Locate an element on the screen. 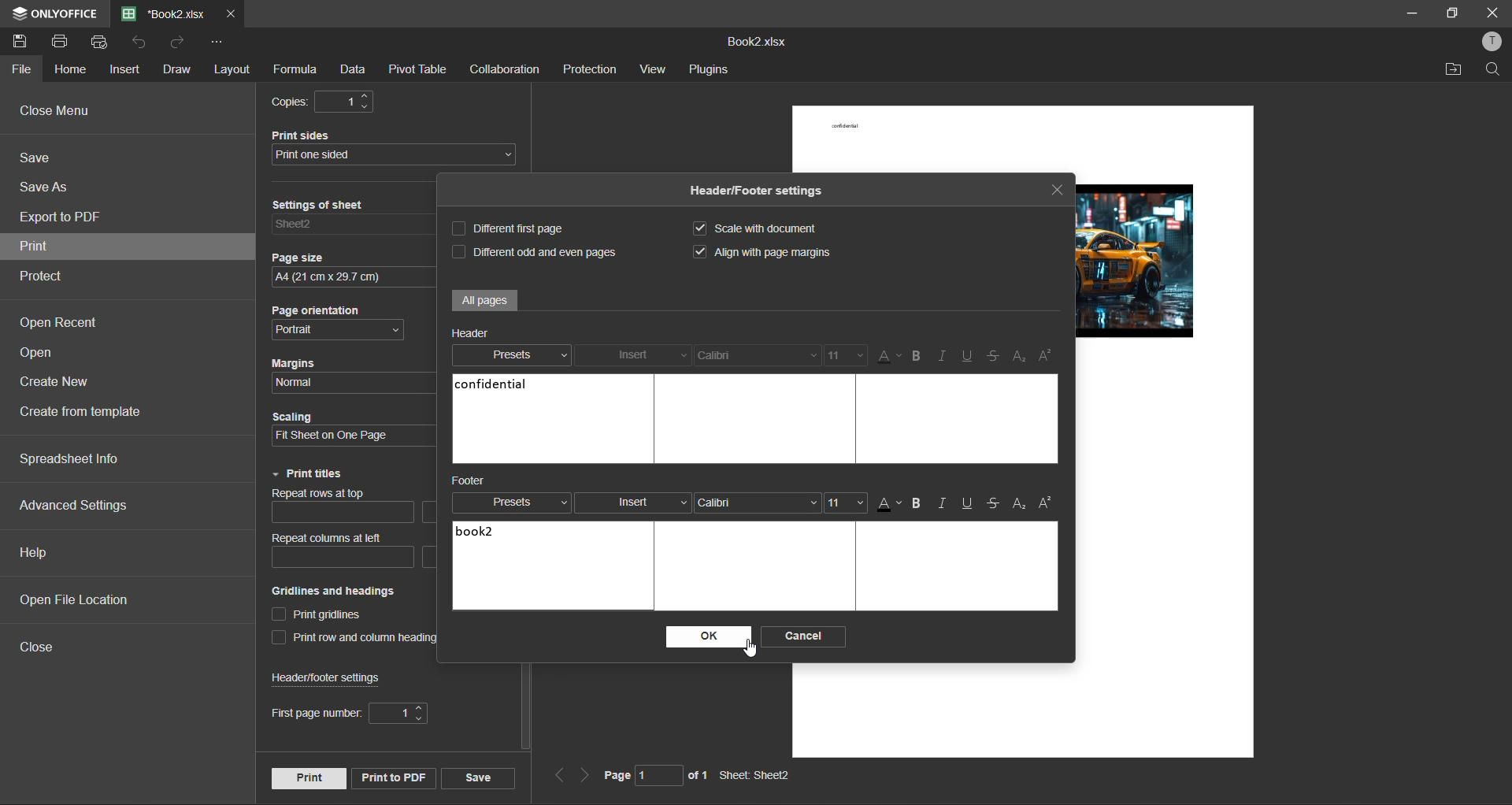 The height and width of the screenshot is (805, 1512). quick print is located at coordinates (104, 43).